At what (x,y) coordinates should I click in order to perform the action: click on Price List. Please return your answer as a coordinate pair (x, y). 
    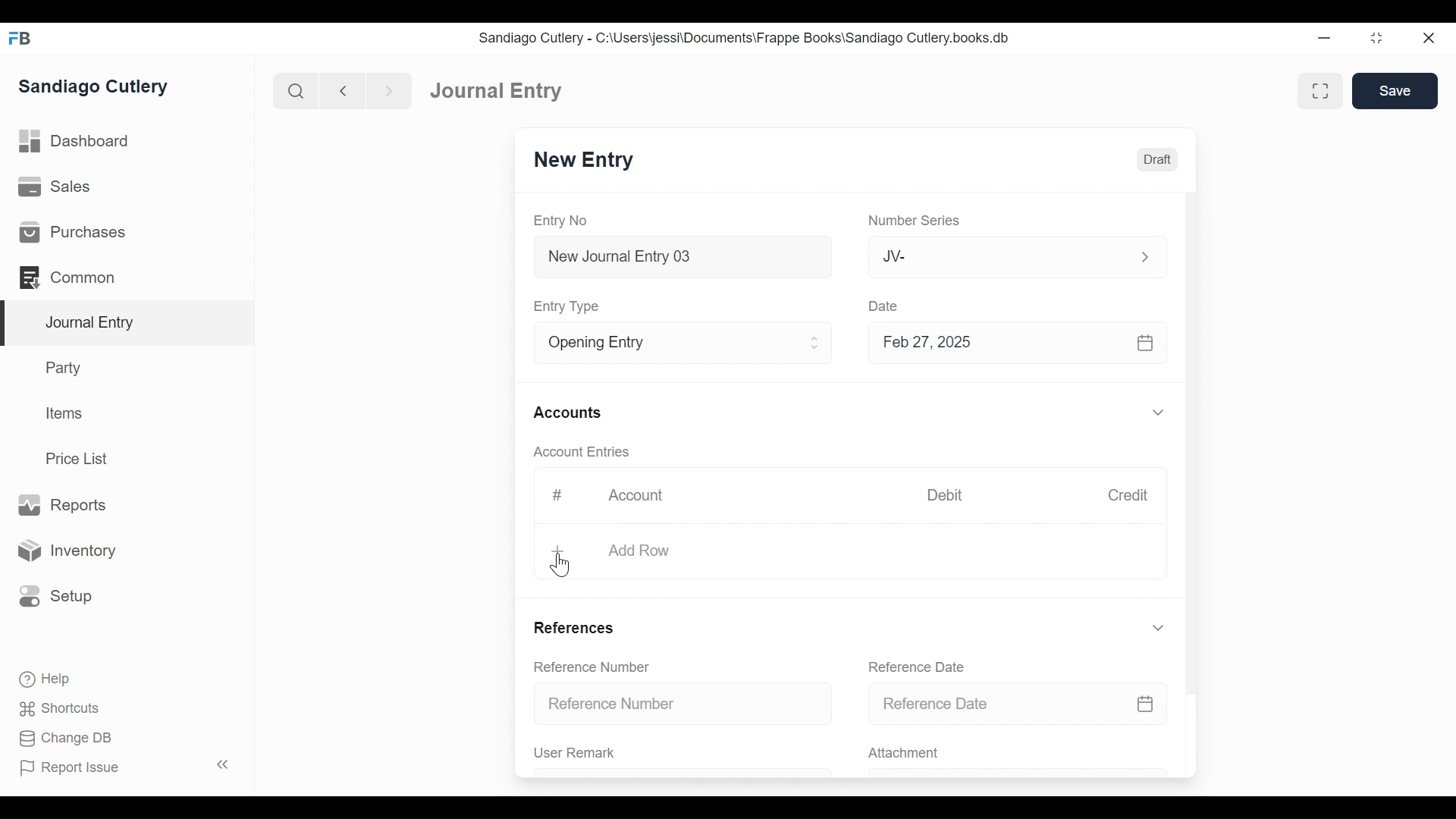
    Looking at the image, I should click on (80, 458).